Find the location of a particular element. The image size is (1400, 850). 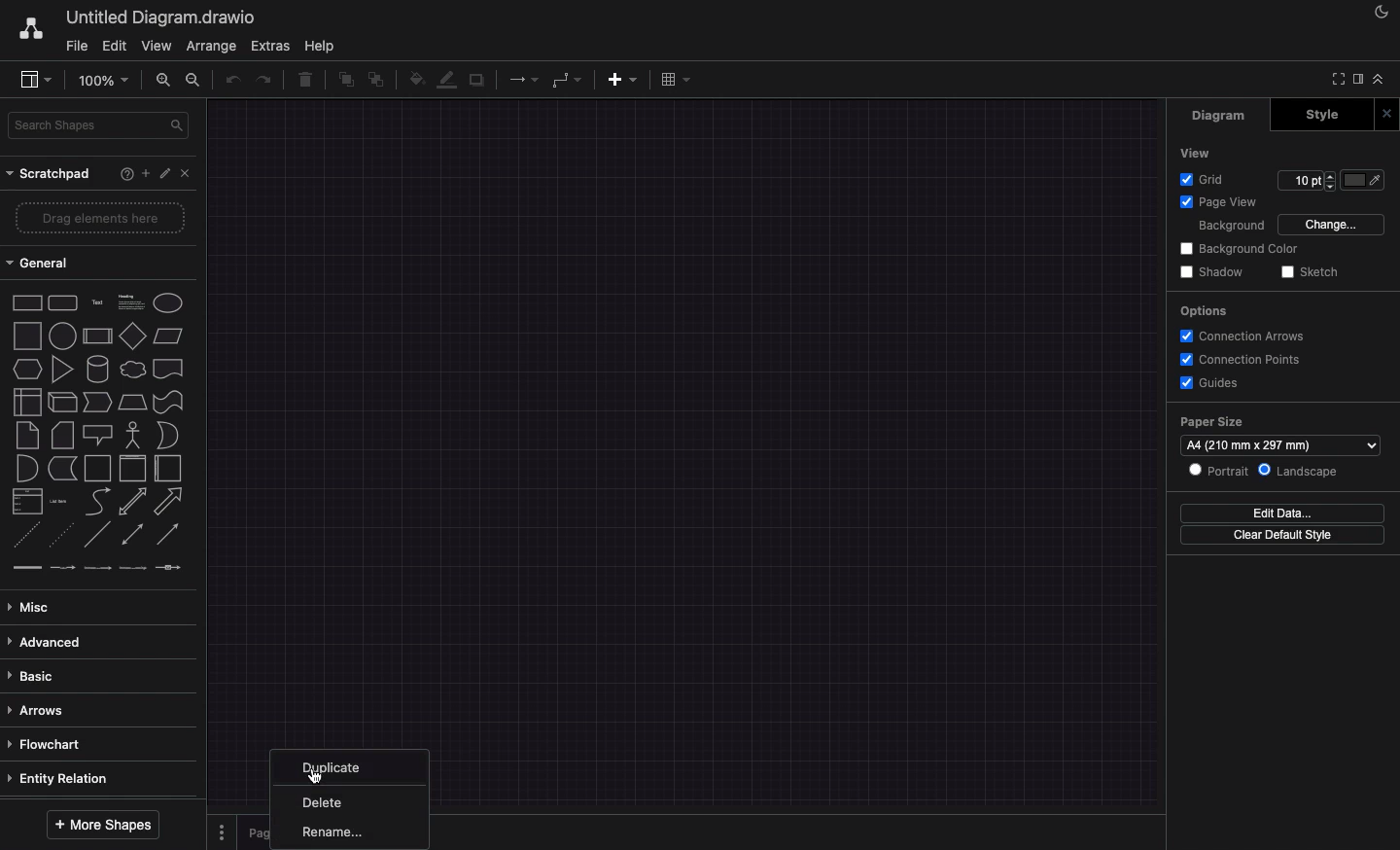

triangle is located at coordinates (61, 370).